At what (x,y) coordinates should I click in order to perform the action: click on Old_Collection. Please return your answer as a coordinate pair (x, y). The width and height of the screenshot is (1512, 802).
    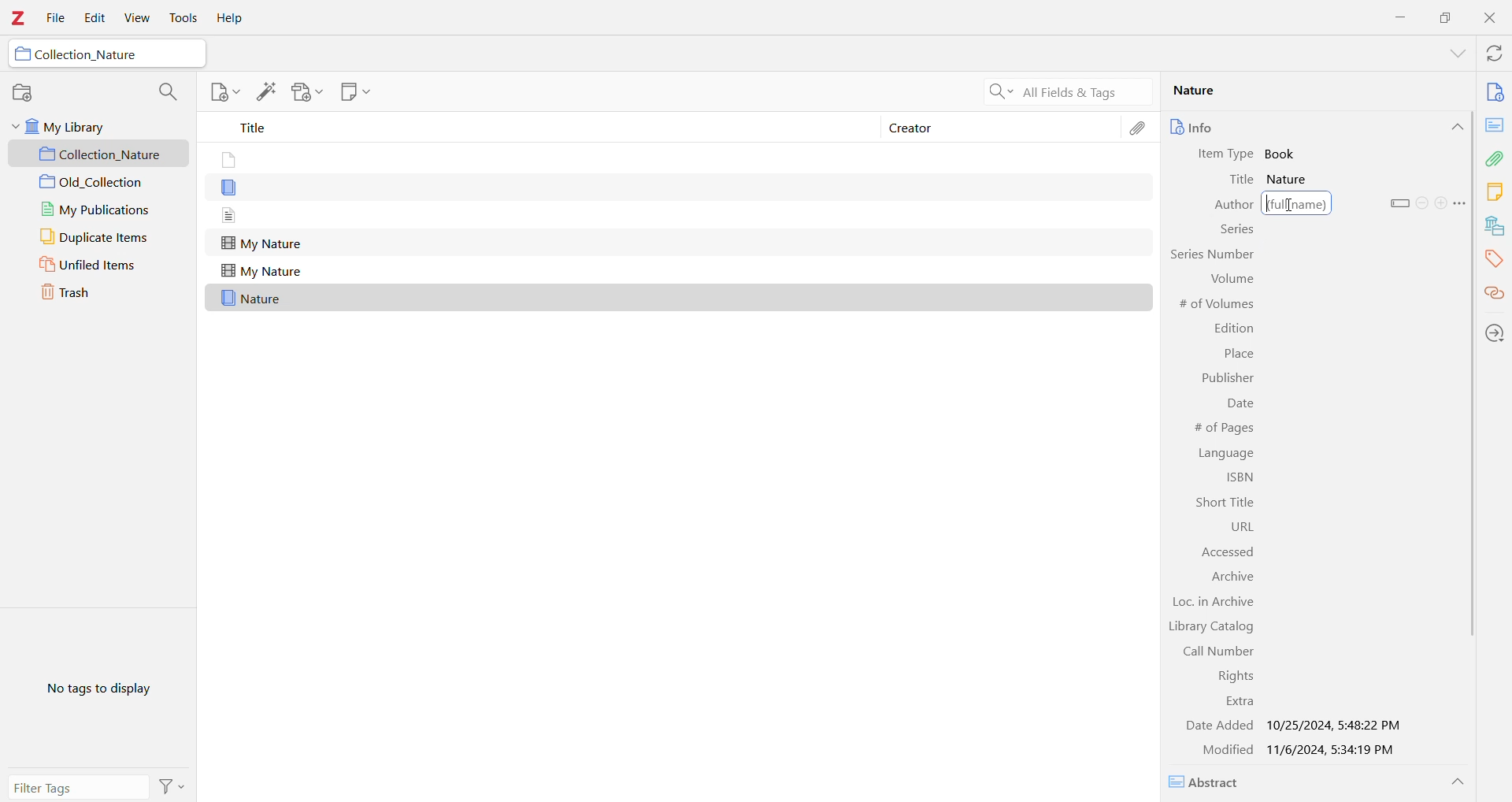
    Looking at the image, I should click on (100, 183).